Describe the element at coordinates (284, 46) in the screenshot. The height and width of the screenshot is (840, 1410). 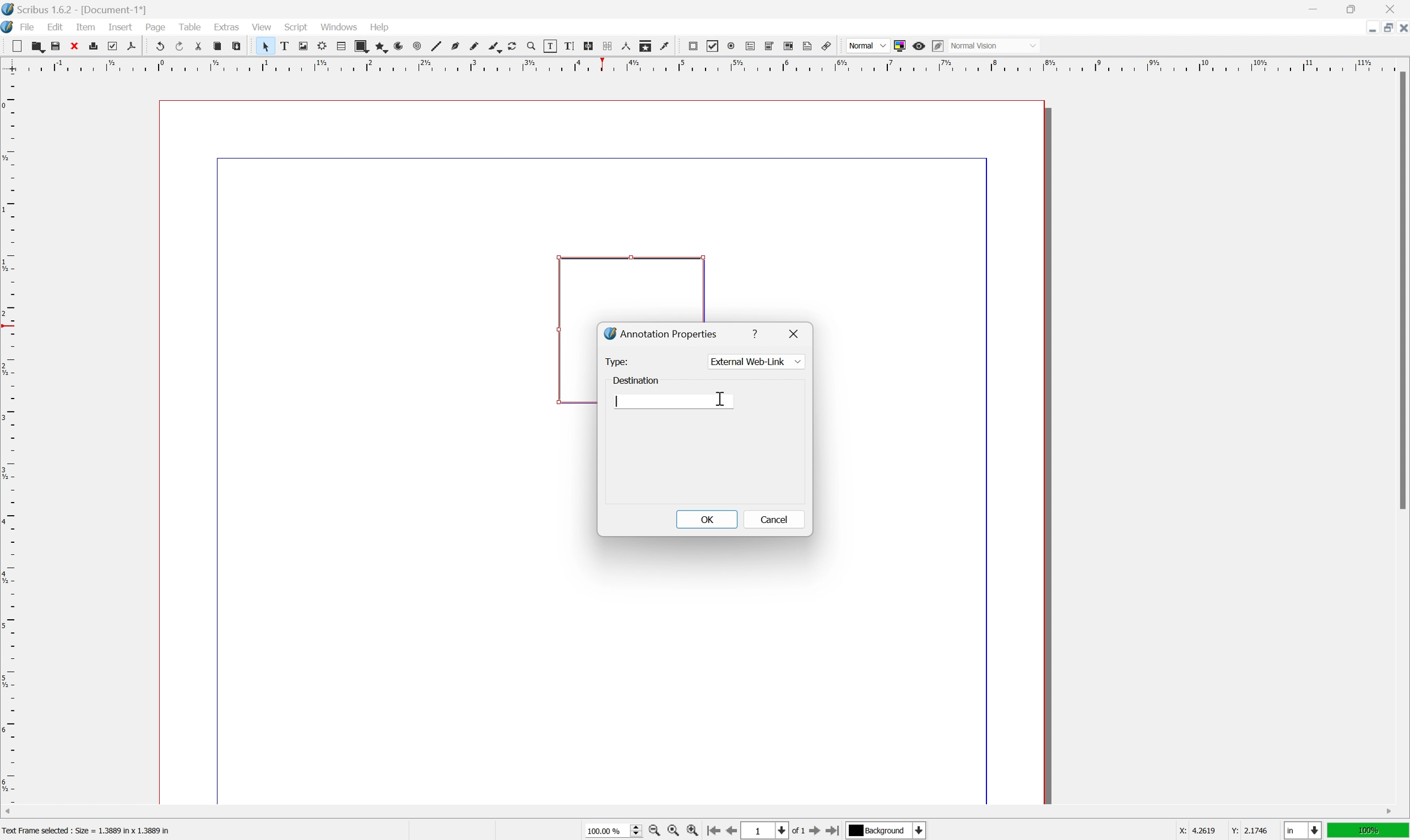
I see `text frame` at that location.